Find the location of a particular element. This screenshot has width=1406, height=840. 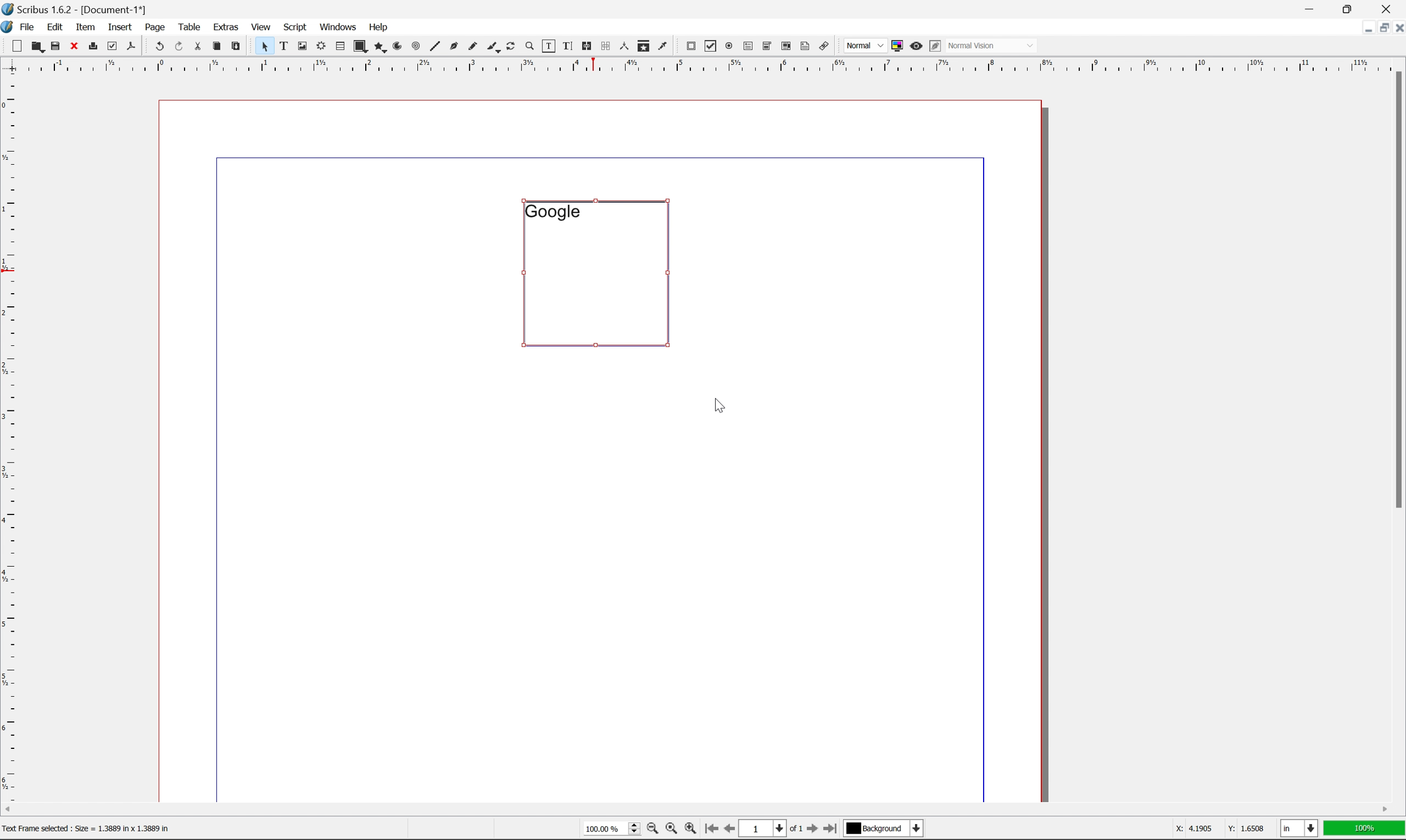

restore down is located at coordinates (1351, 8).